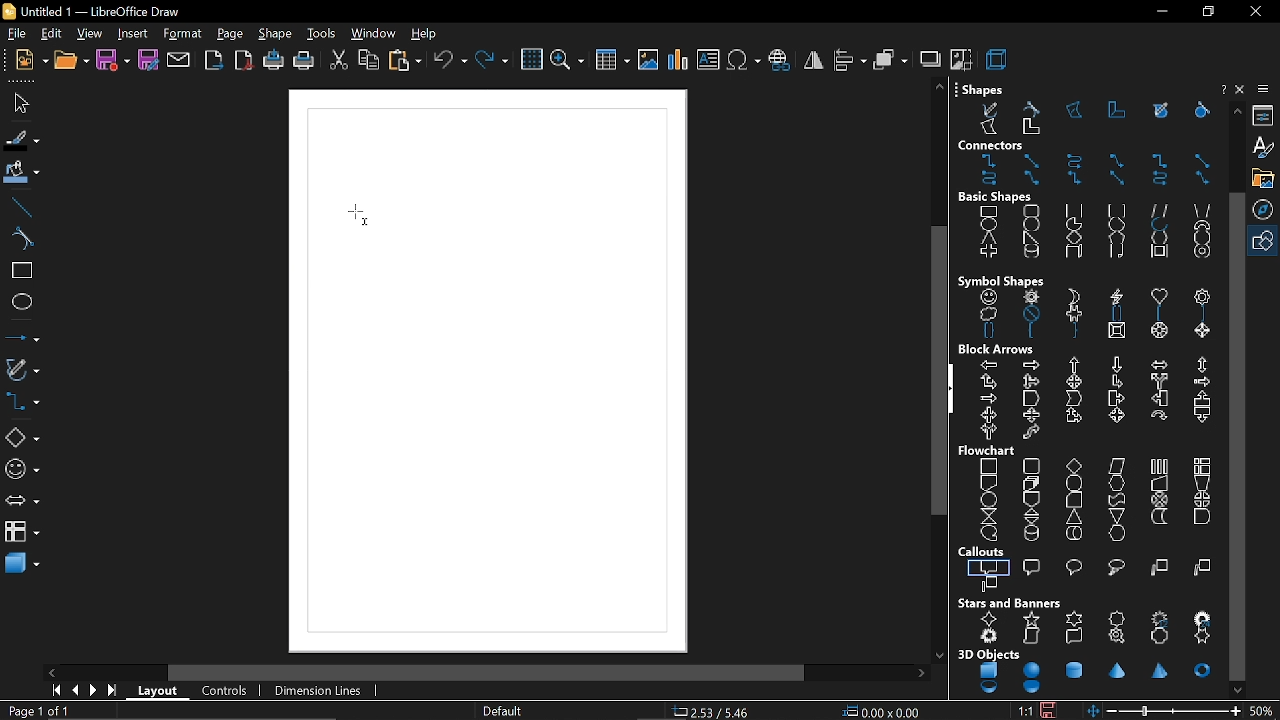  Describe the element at coordinates (986, 253) in the screenshot. I see `cross` at that location.